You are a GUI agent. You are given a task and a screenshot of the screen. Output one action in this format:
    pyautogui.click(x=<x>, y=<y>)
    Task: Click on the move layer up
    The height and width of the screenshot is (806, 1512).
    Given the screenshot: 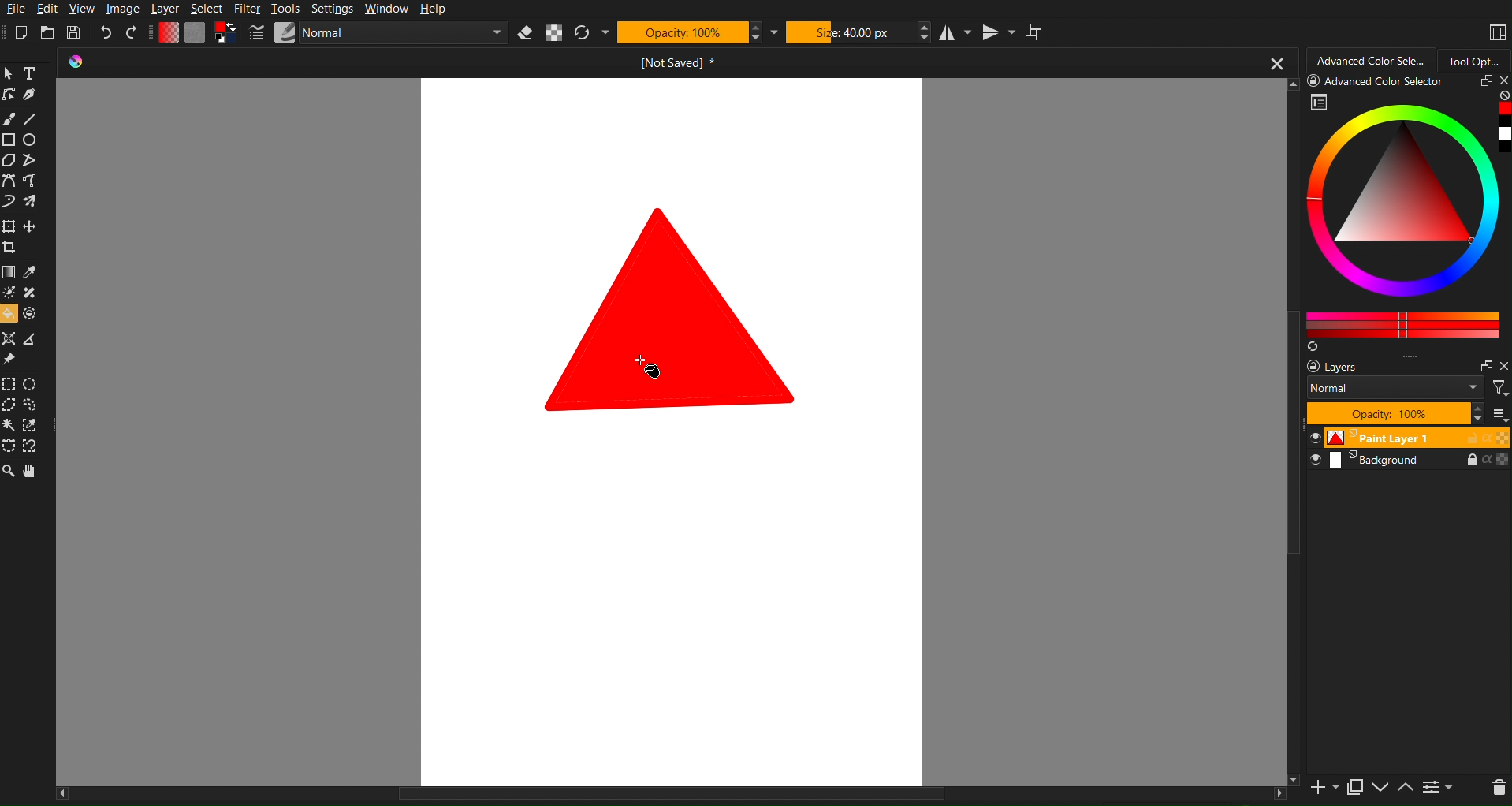 What is the action you would take?
    pyautogui.click(x=1409, y=789)
    